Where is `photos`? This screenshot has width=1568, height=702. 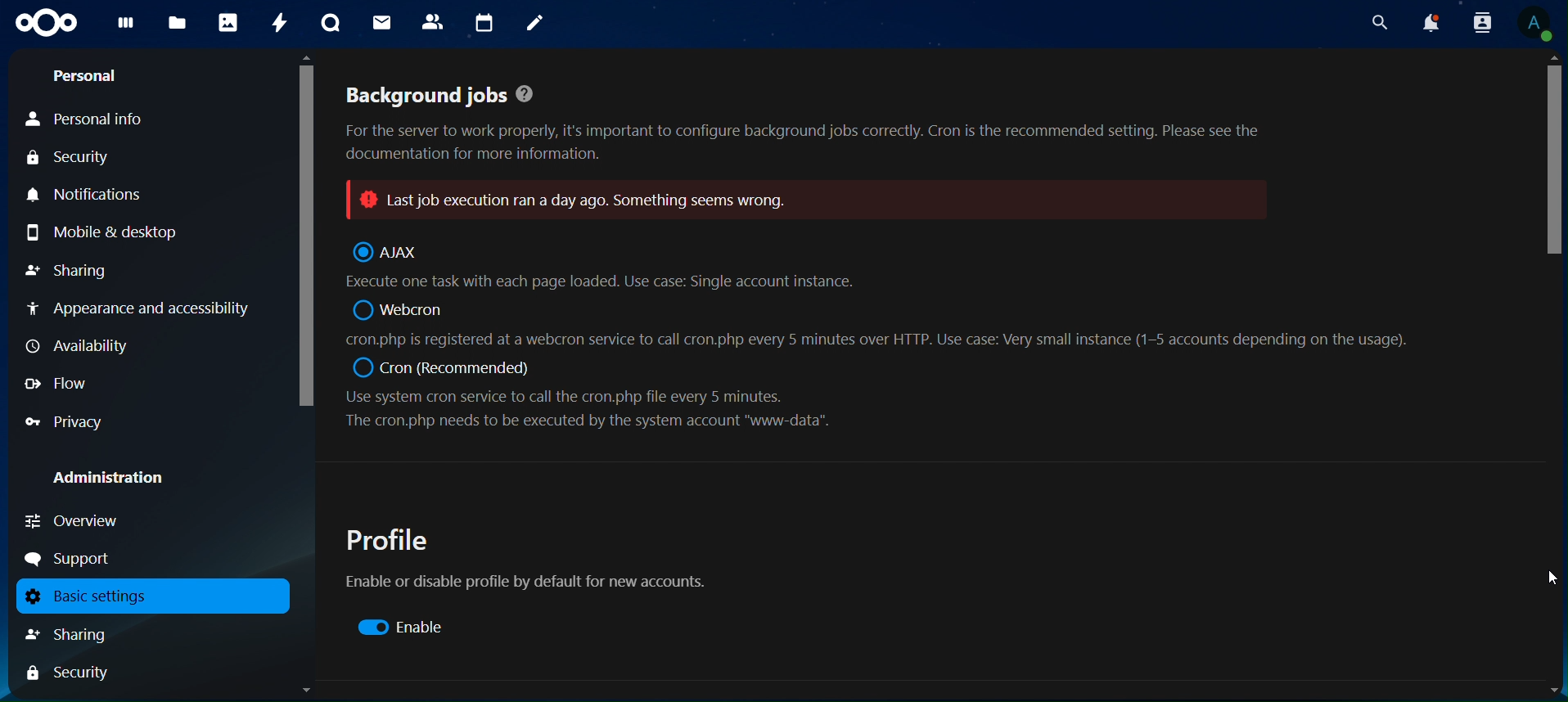 photos is located at coordinates (228, 23).